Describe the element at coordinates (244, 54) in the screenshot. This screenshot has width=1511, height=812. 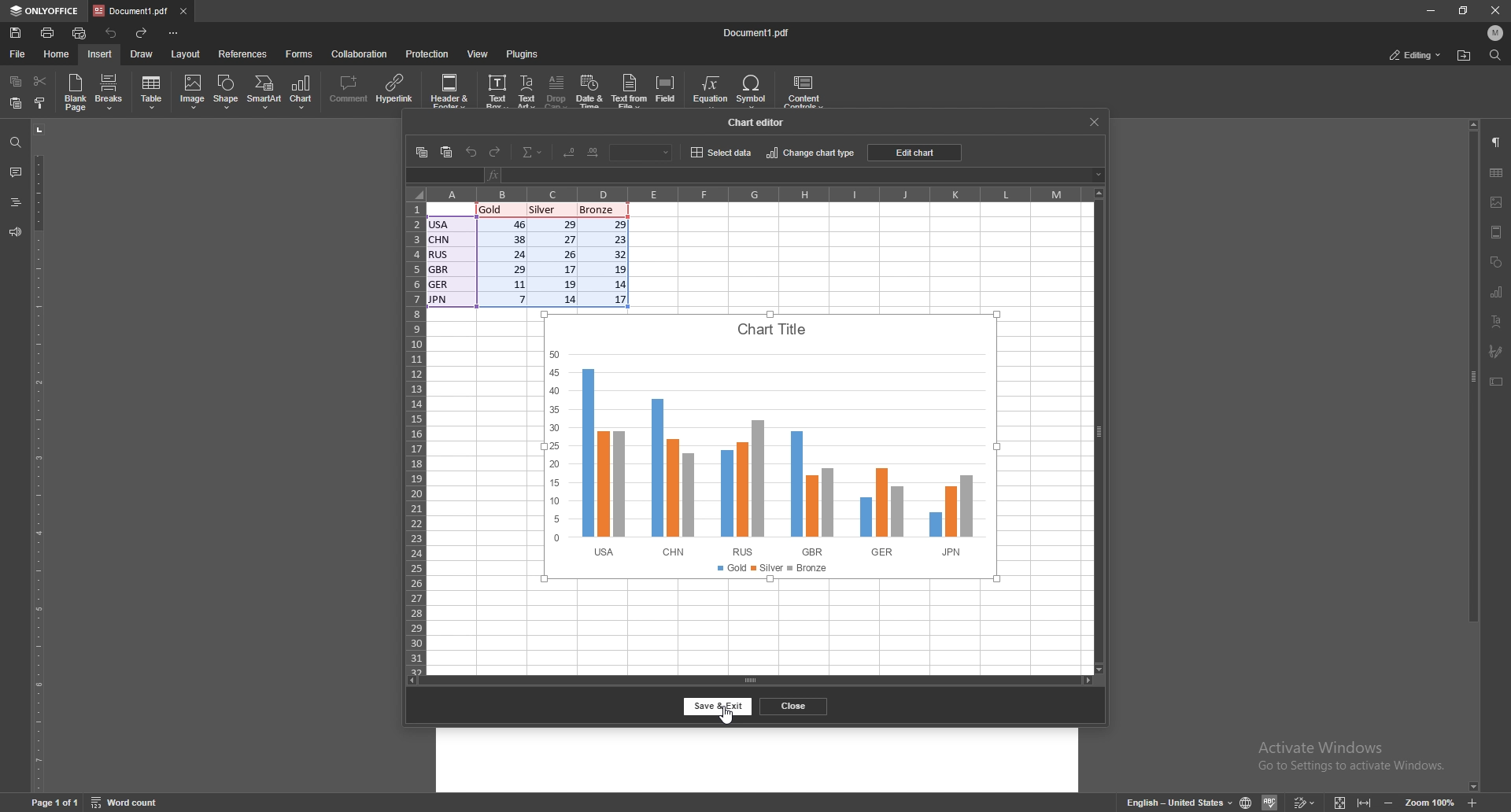
I see `references` at that location.